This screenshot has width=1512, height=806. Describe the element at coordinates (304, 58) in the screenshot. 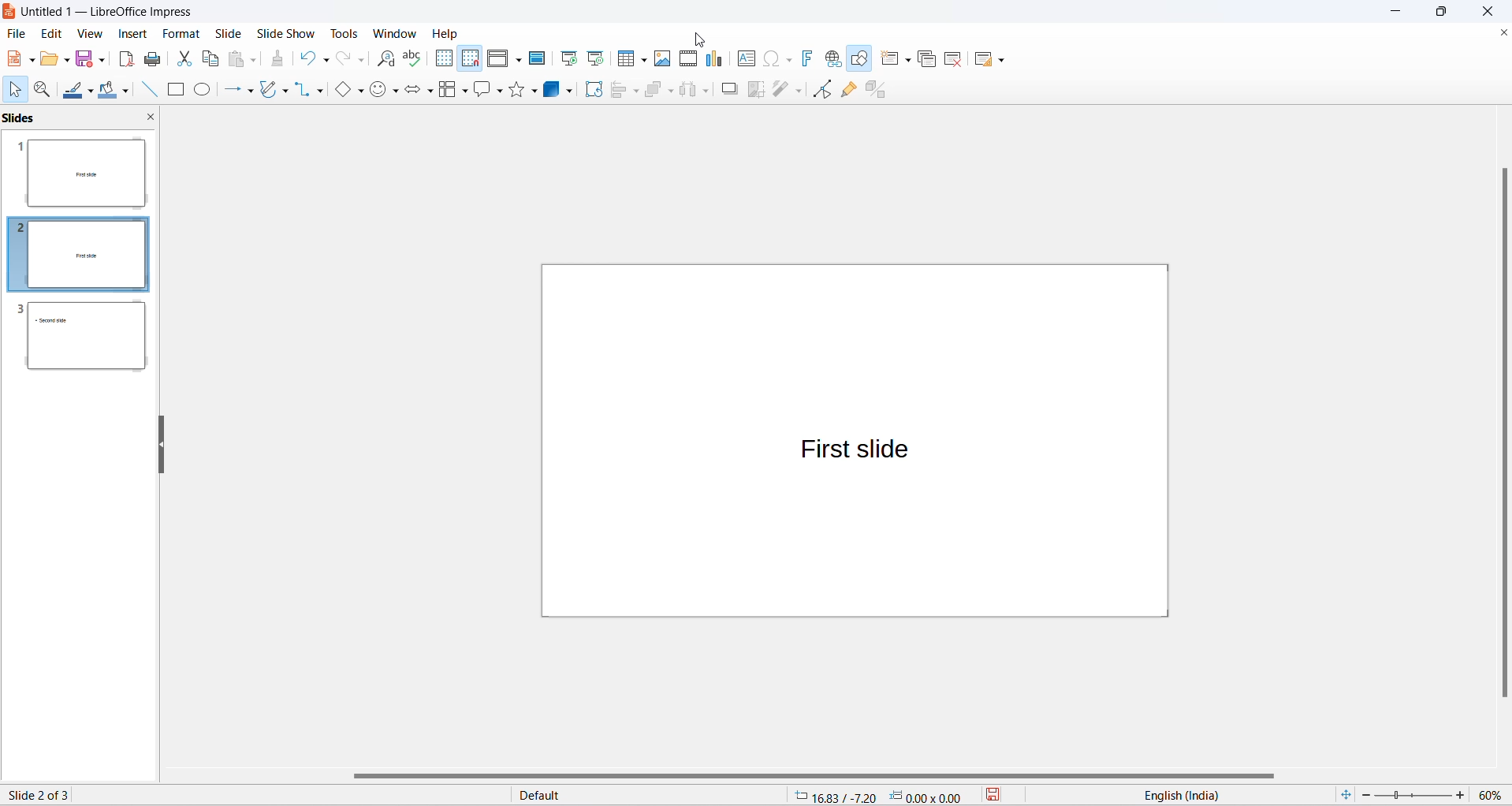

I see `undo` at that location.